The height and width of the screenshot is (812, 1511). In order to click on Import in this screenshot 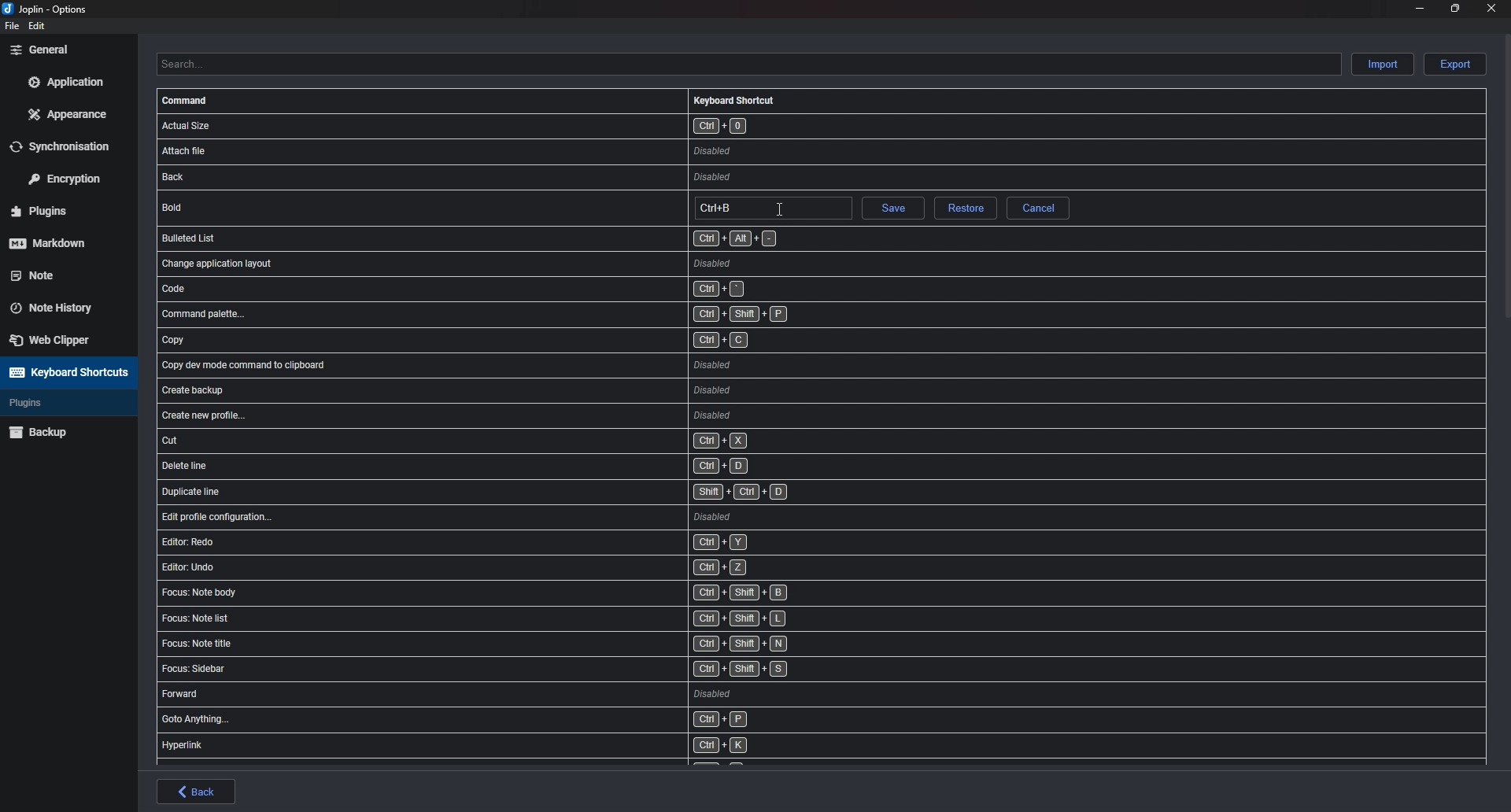, I will do `click(1384, 63)`.